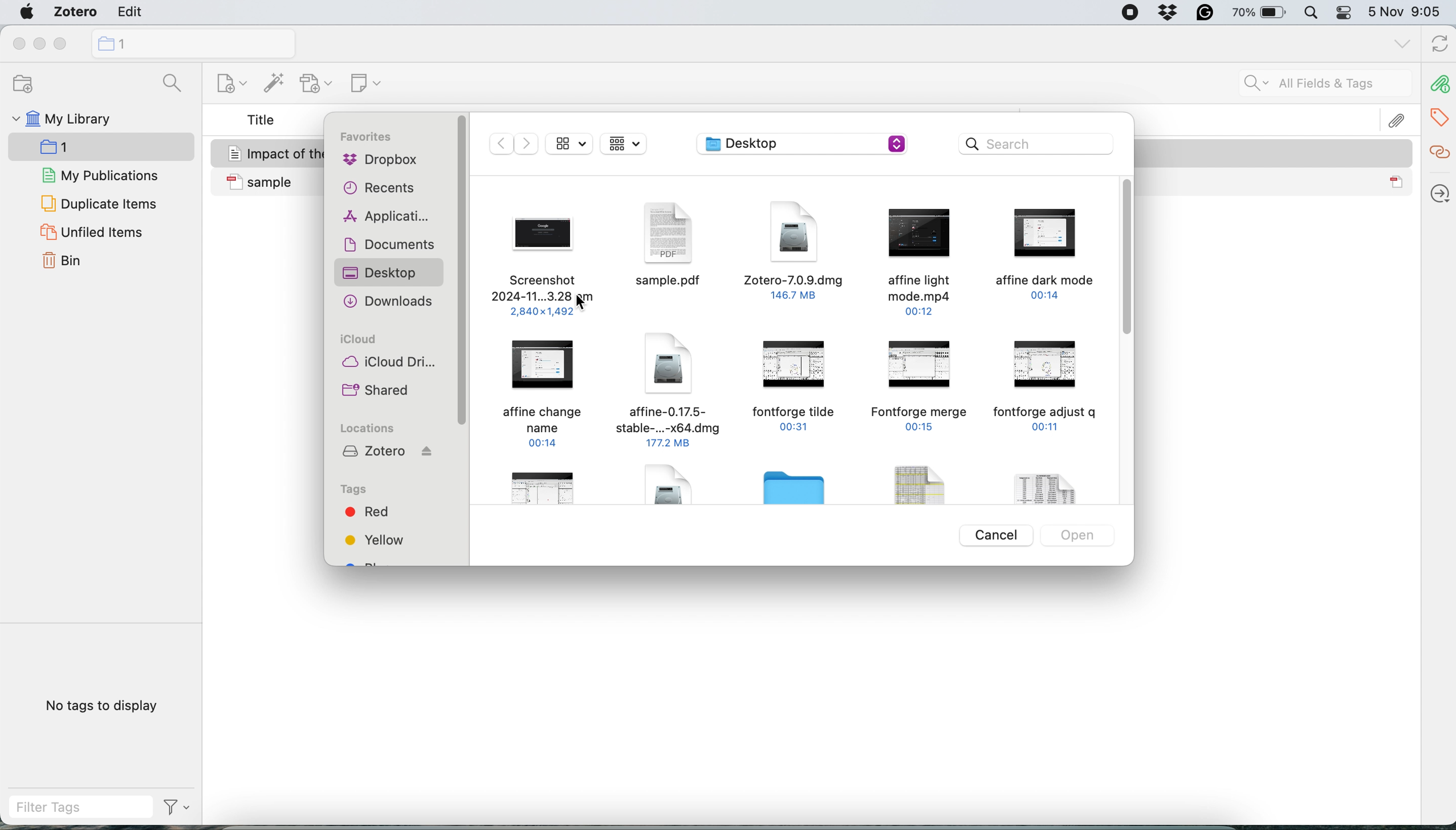 Image resolution: width=1456 pixels, height=830 pixels. I want to click on Displaay as, so click(629, 144).